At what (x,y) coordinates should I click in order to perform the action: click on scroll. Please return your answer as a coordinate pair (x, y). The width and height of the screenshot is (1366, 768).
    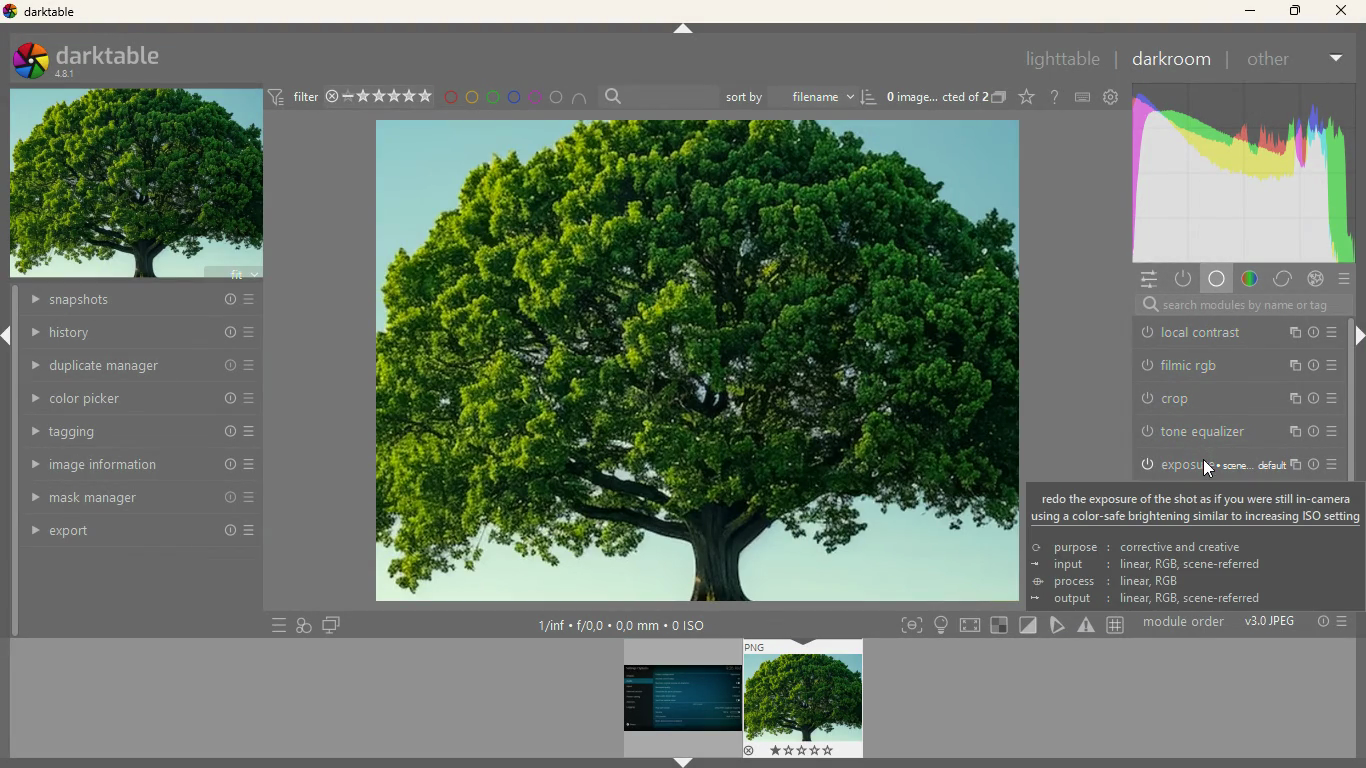
    Looking at the image, I should click on (1353, 362).